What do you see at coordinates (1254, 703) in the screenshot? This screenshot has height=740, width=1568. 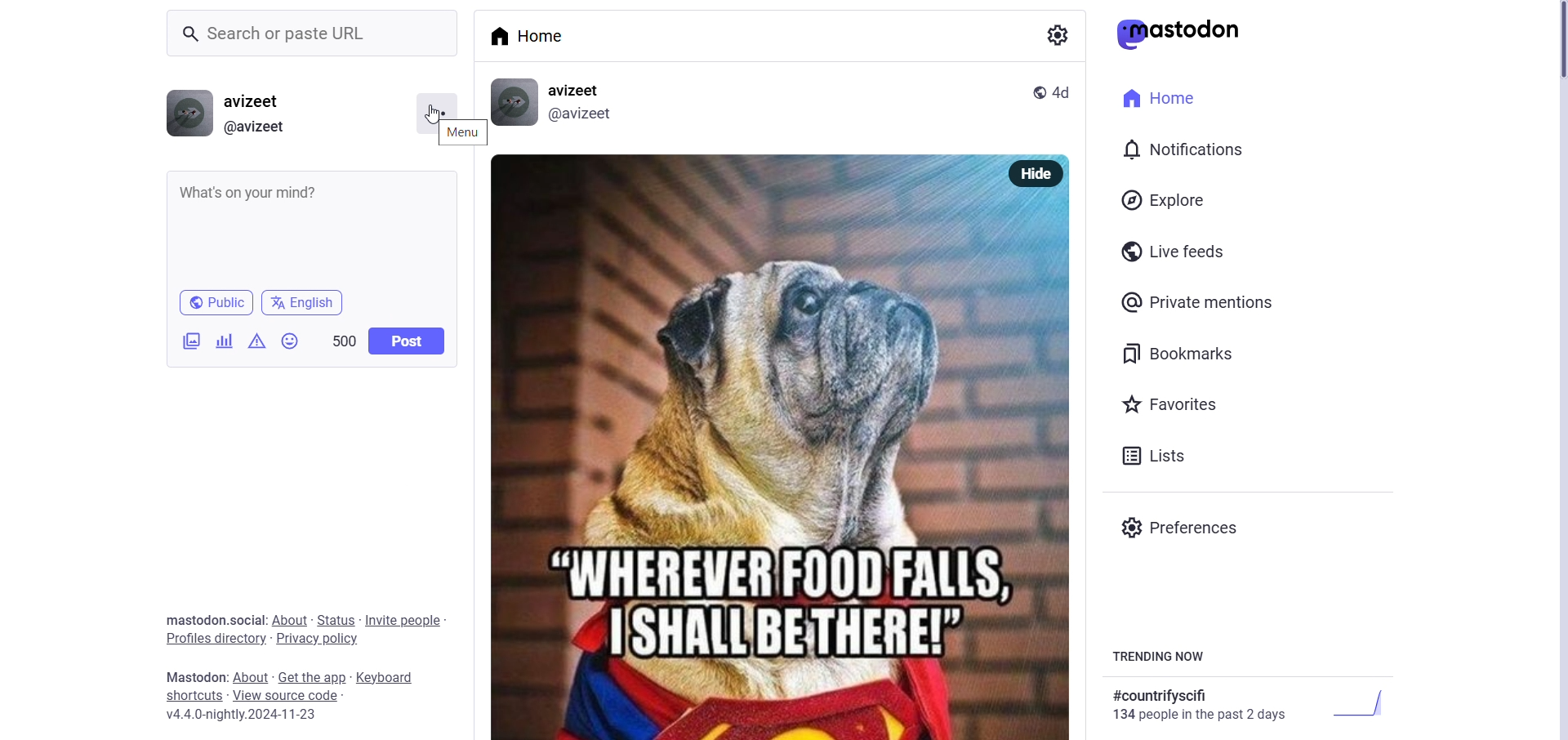 I see `text` at bounding box center [1254, 703].